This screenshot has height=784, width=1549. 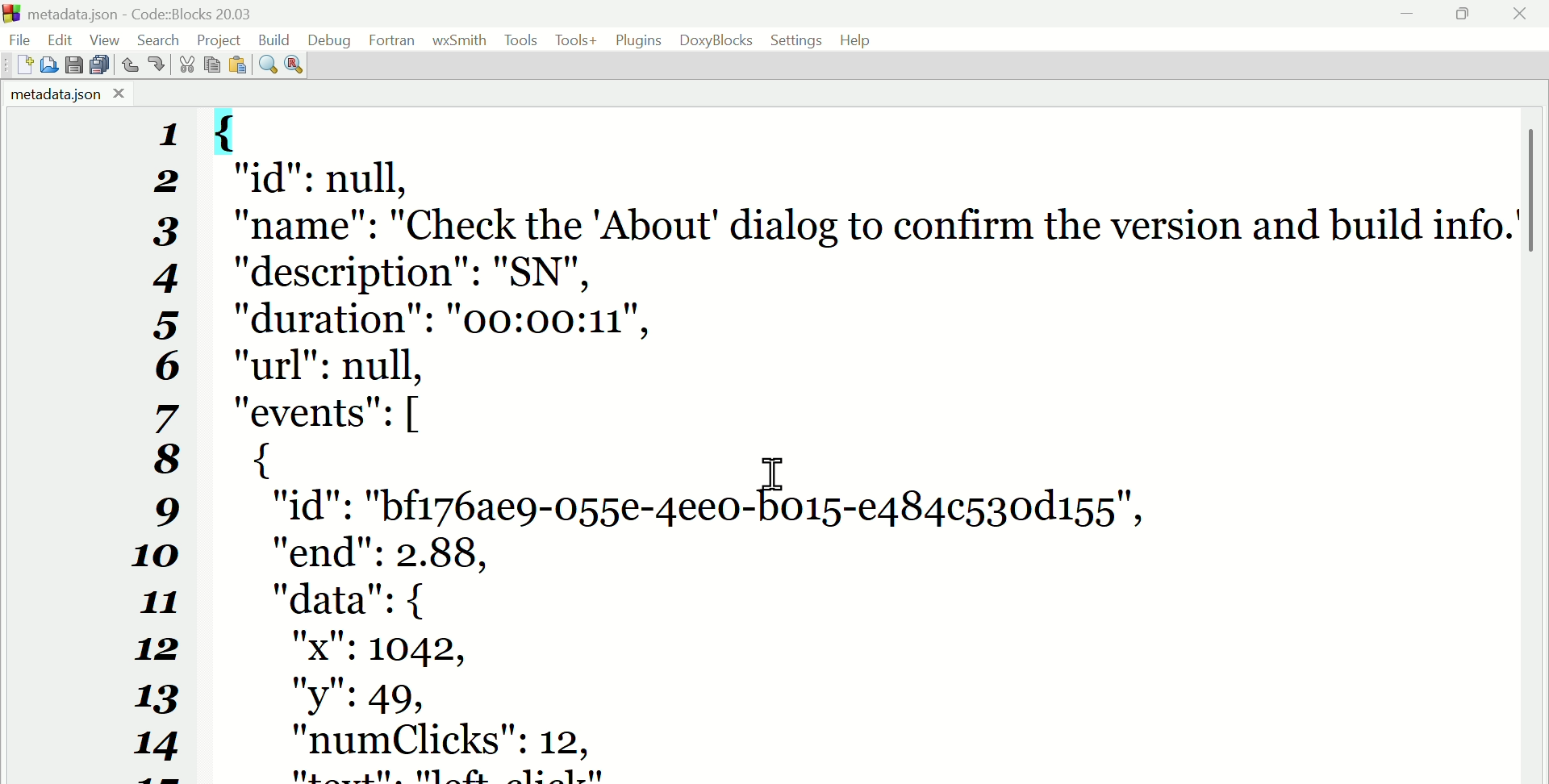 I want to click on Close, so click(x=1521, y=15).